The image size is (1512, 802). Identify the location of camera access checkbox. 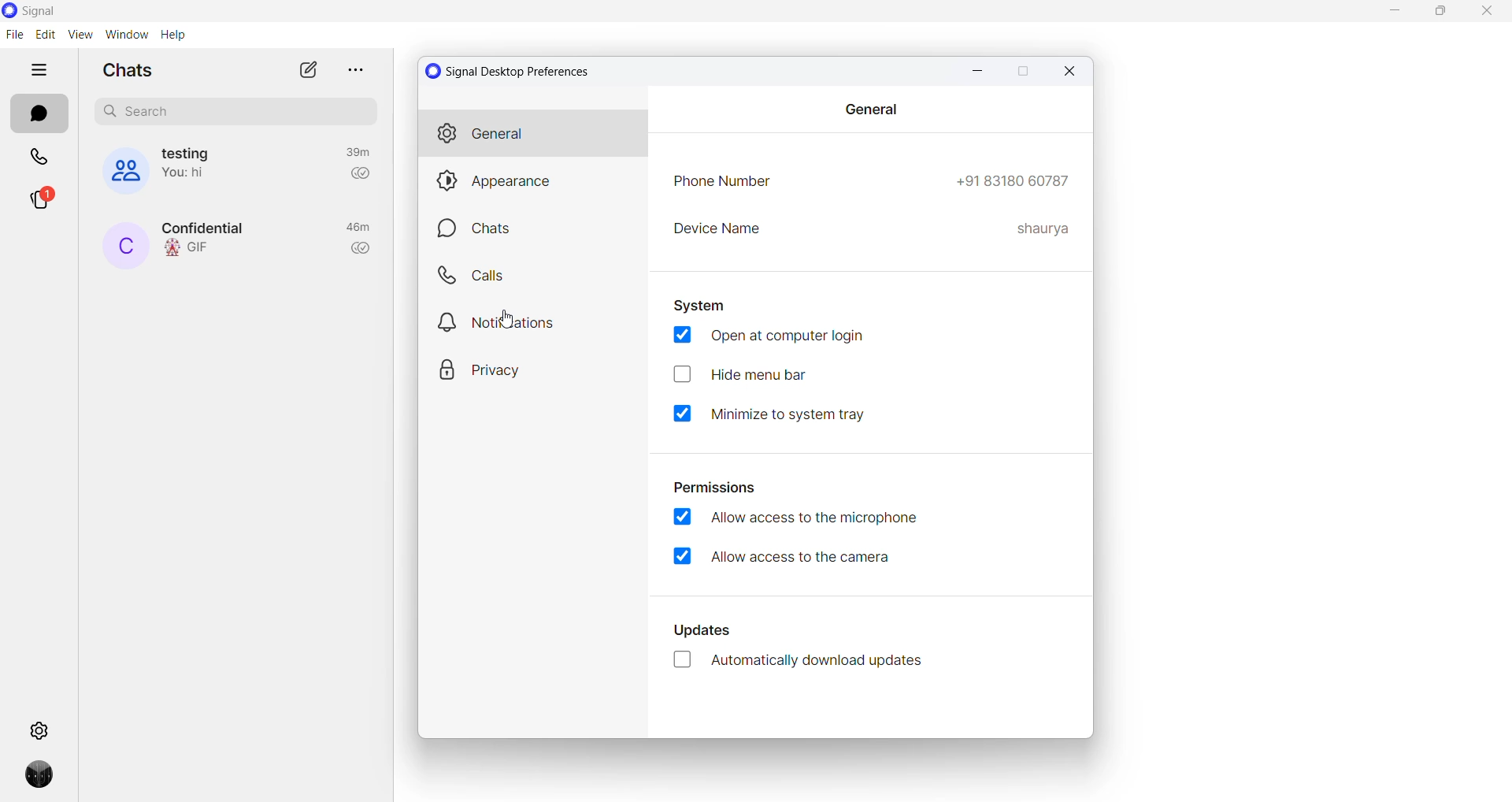
(801, 557).